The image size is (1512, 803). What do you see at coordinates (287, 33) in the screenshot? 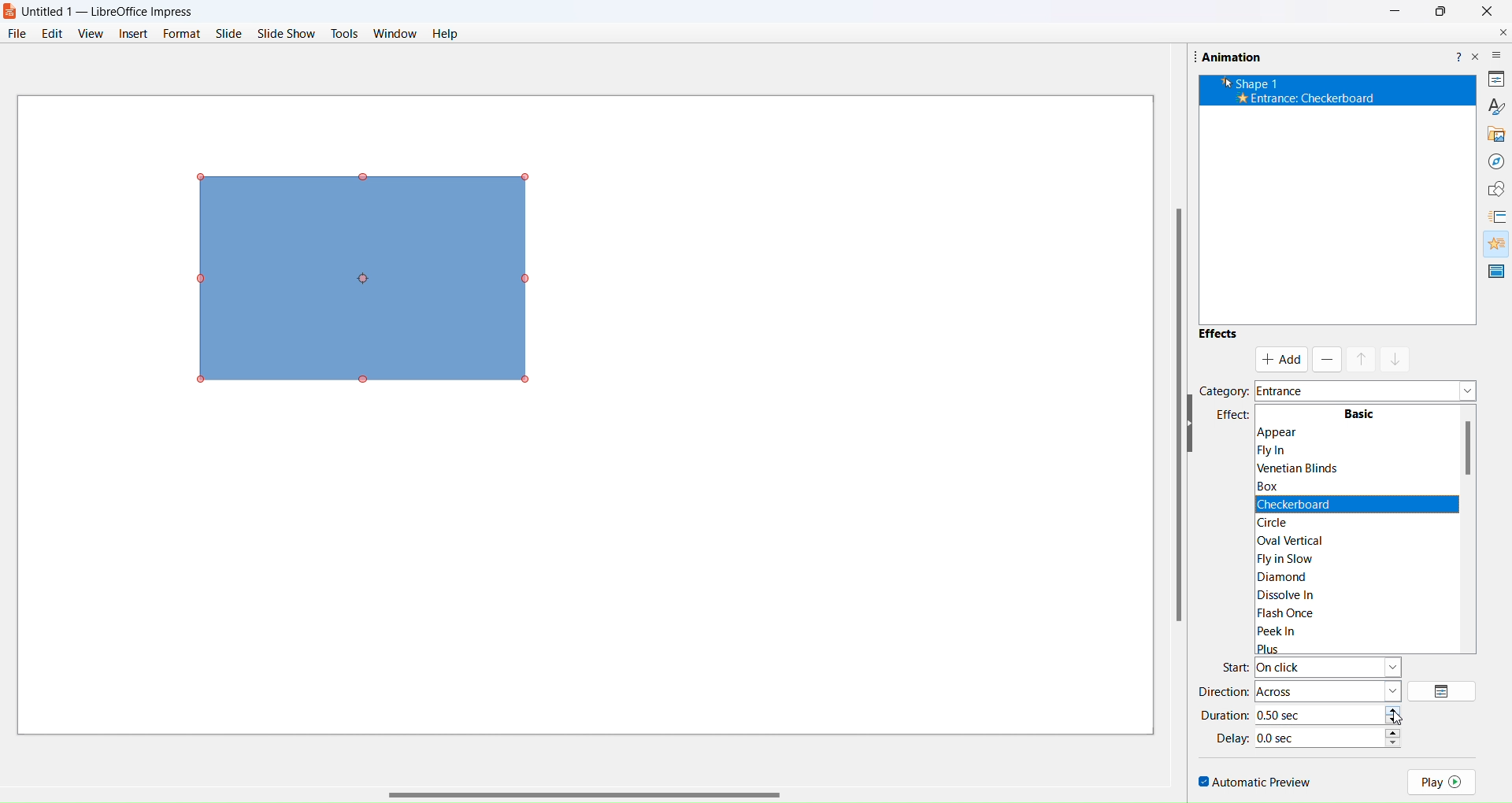
I see `slide show` at bounding box center [287, 33].